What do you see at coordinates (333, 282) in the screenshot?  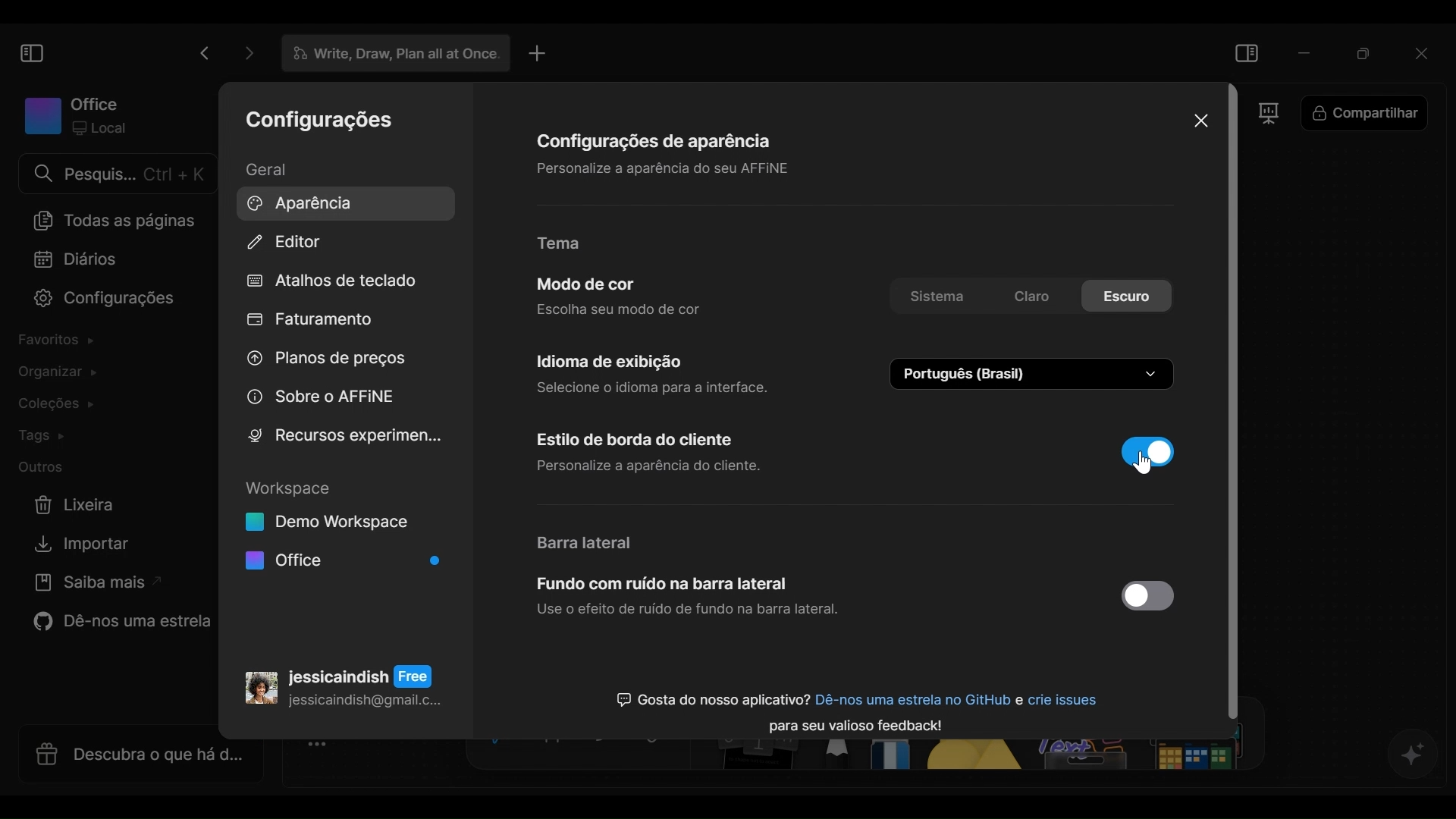 I see `Keyboard shortcuts` at bounding box center [333, 282].